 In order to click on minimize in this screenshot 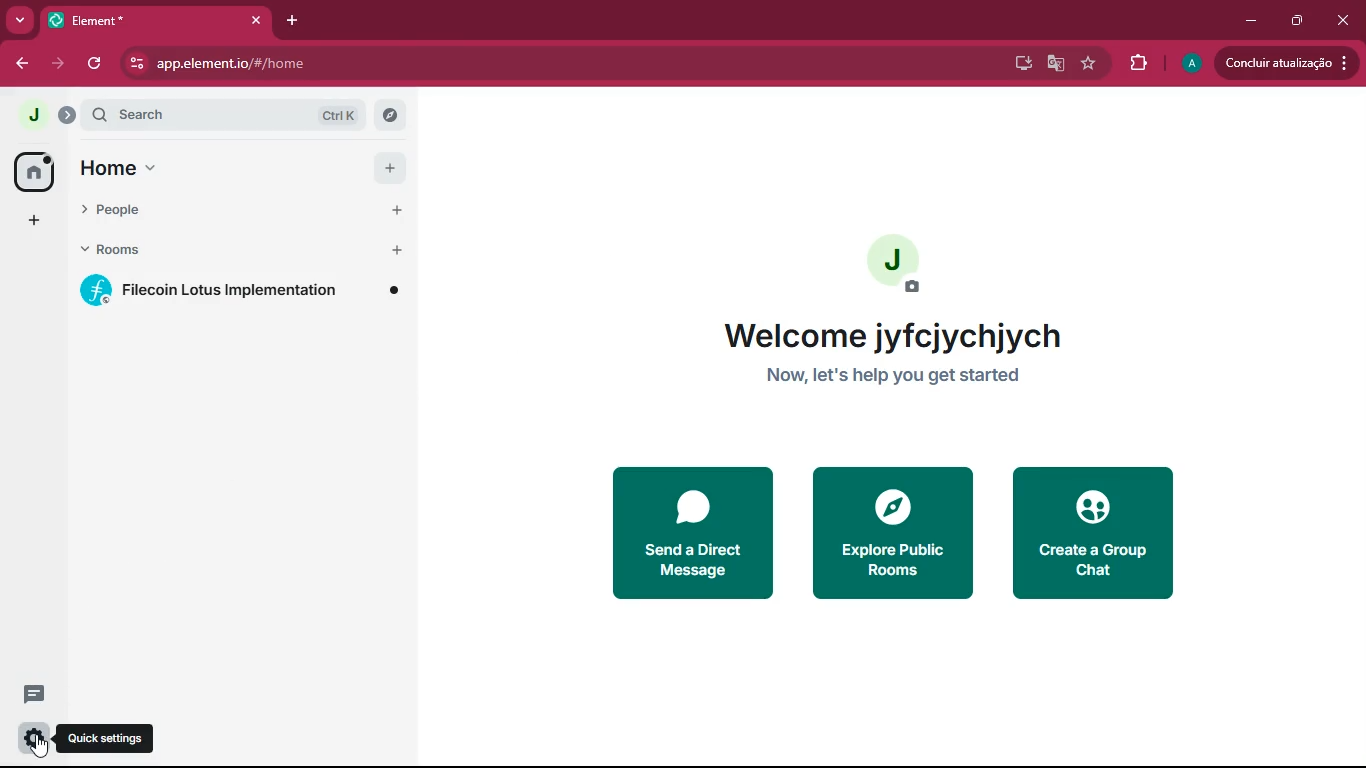, I will do `click(1250, 21)`.